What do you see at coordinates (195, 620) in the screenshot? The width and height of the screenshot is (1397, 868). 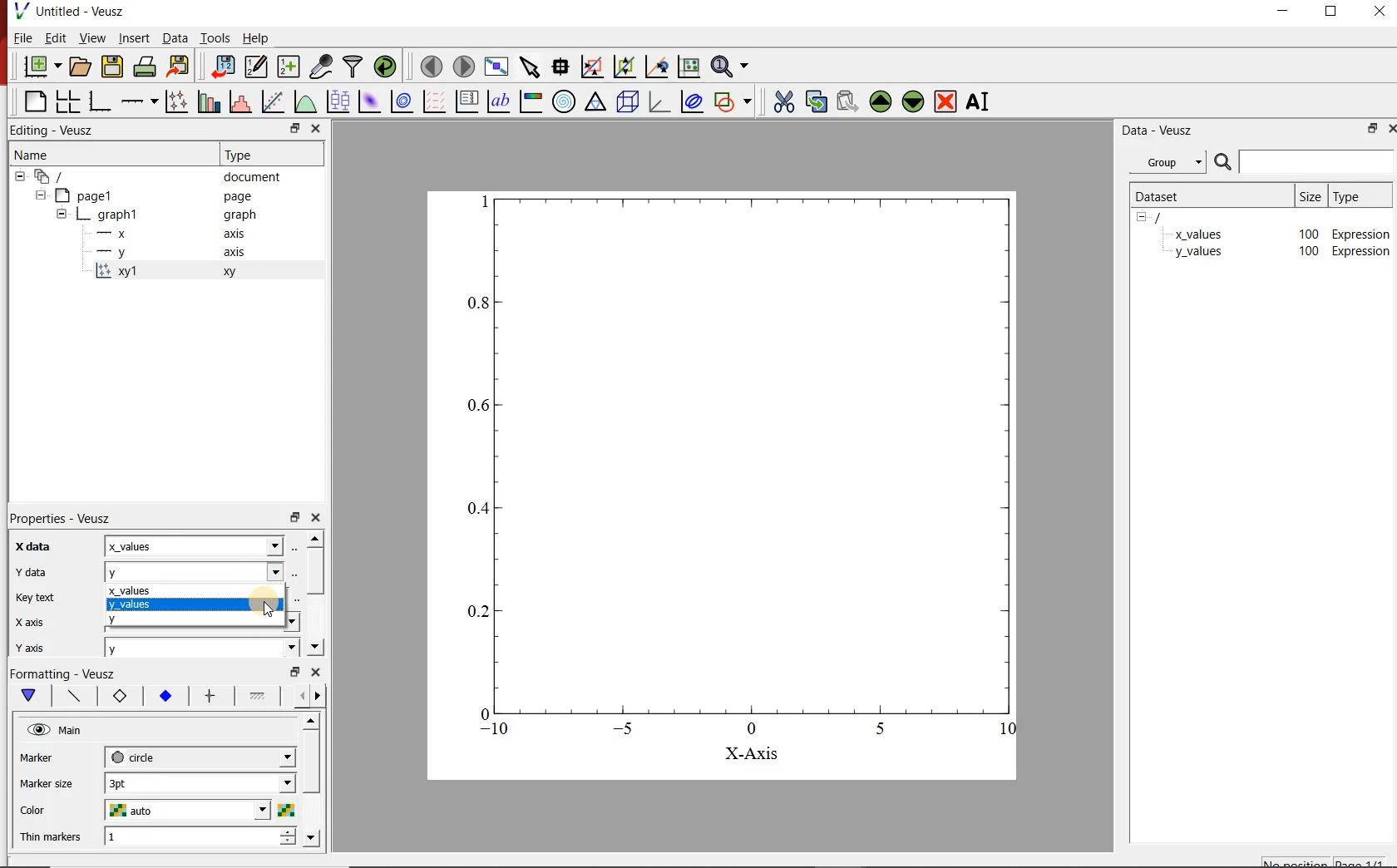 I see `y` at bounding box center [195, 620].